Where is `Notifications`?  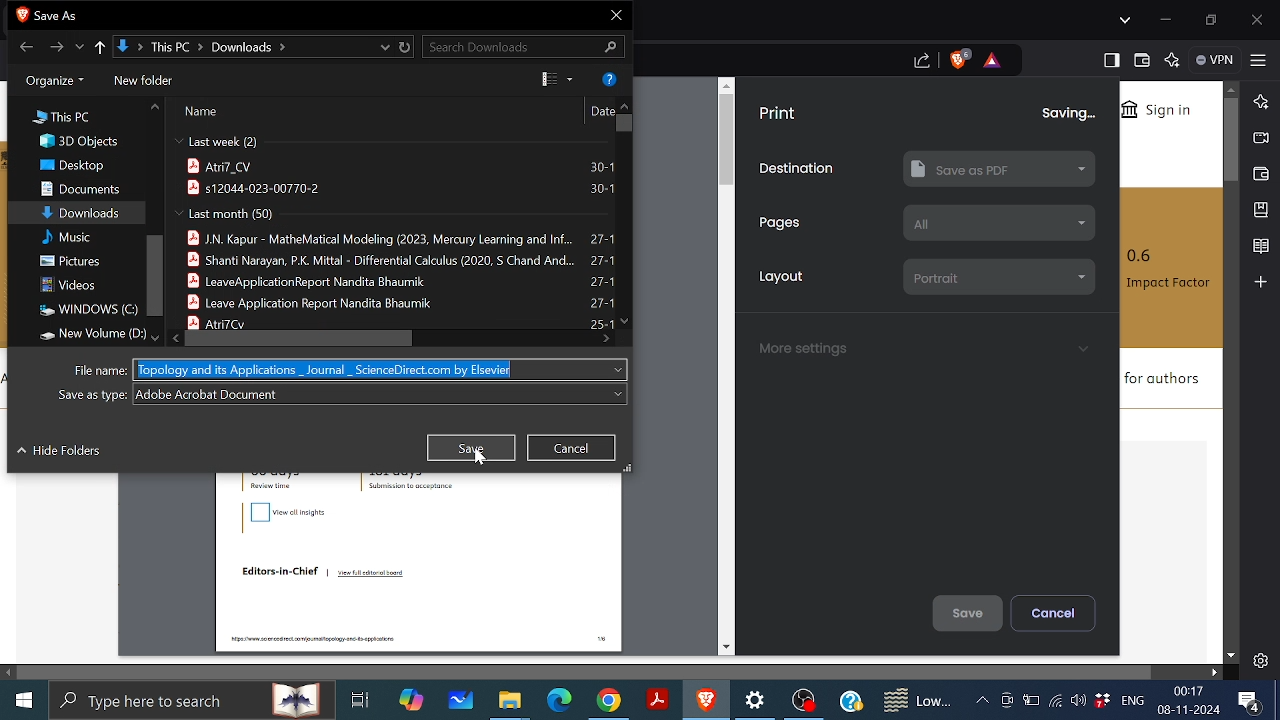
Notifications is located at coordinates (1250, 701).